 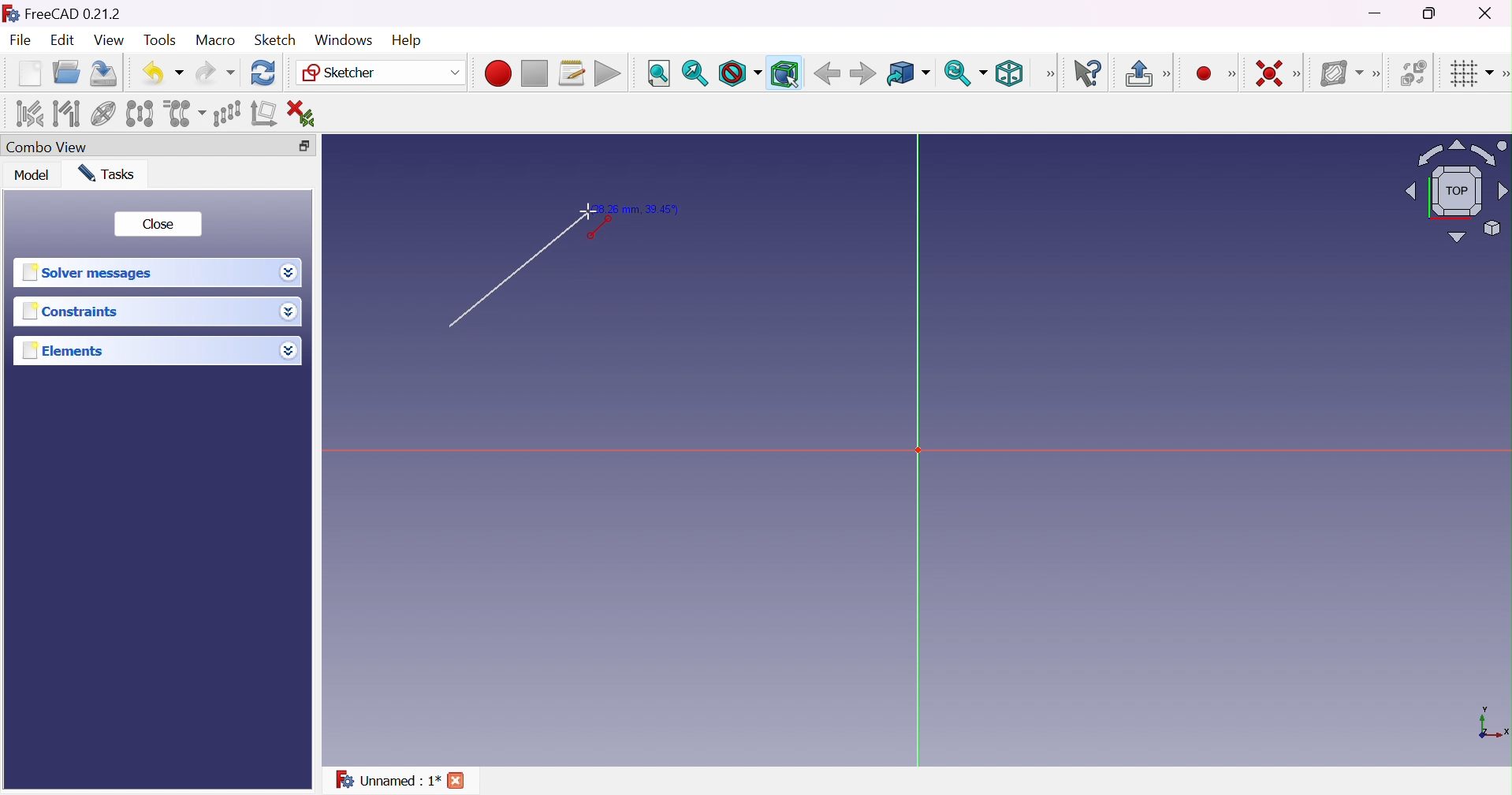 I want to click on Close, so click(x=461, y=781).